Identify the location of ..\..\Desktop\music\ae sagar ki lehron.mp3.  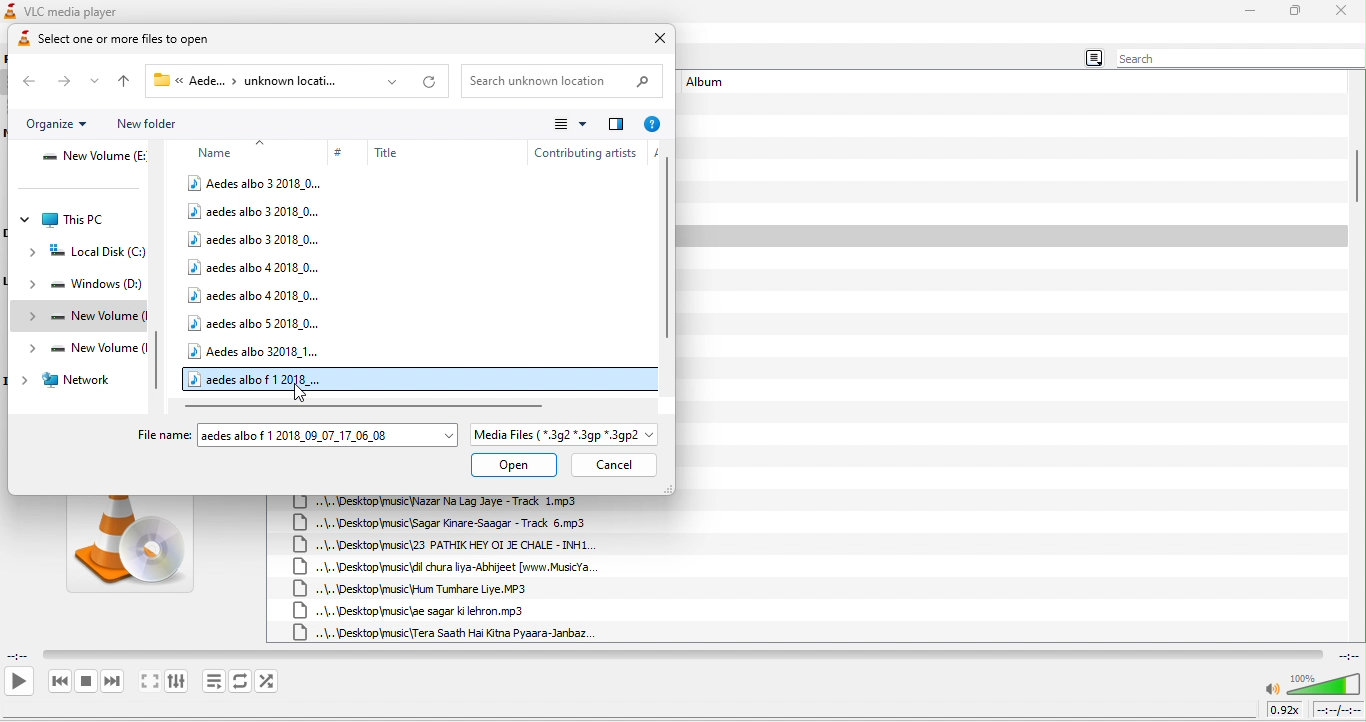
(418, 611).